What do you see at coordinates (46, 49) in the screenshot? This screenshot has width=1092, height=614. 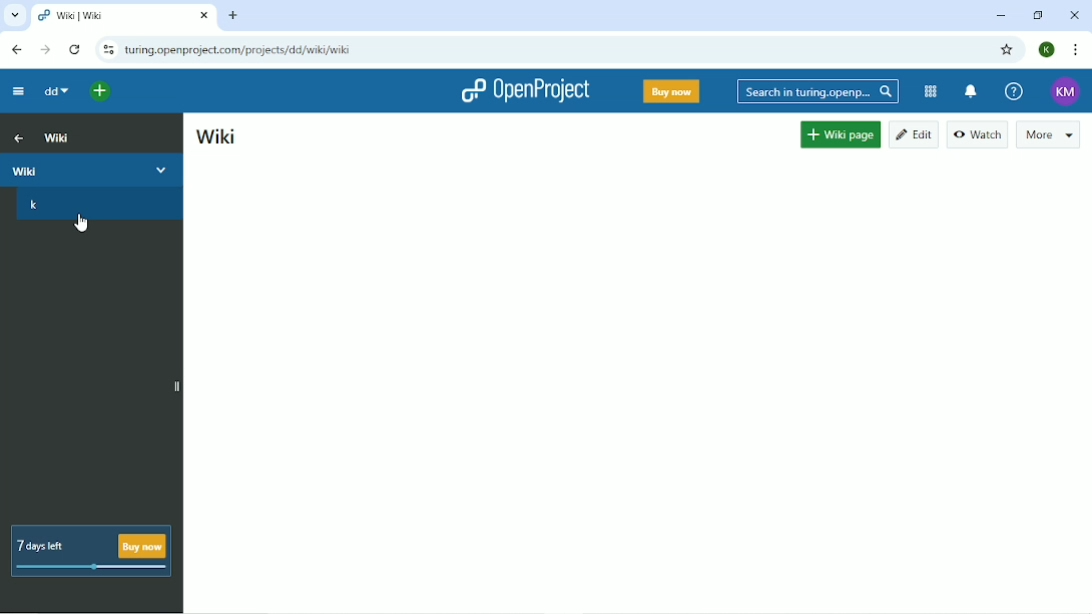 I see `Forward` at bounding box center [46, 49].